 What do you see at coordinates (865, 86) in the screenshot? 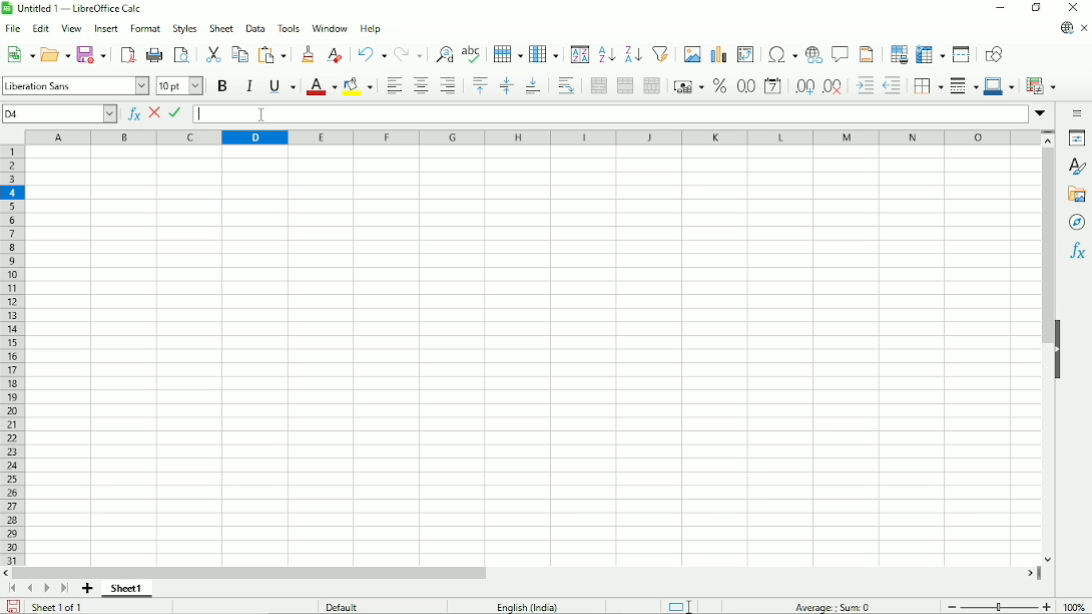
I see `Decrease indent` at bounding box center [865, 86].